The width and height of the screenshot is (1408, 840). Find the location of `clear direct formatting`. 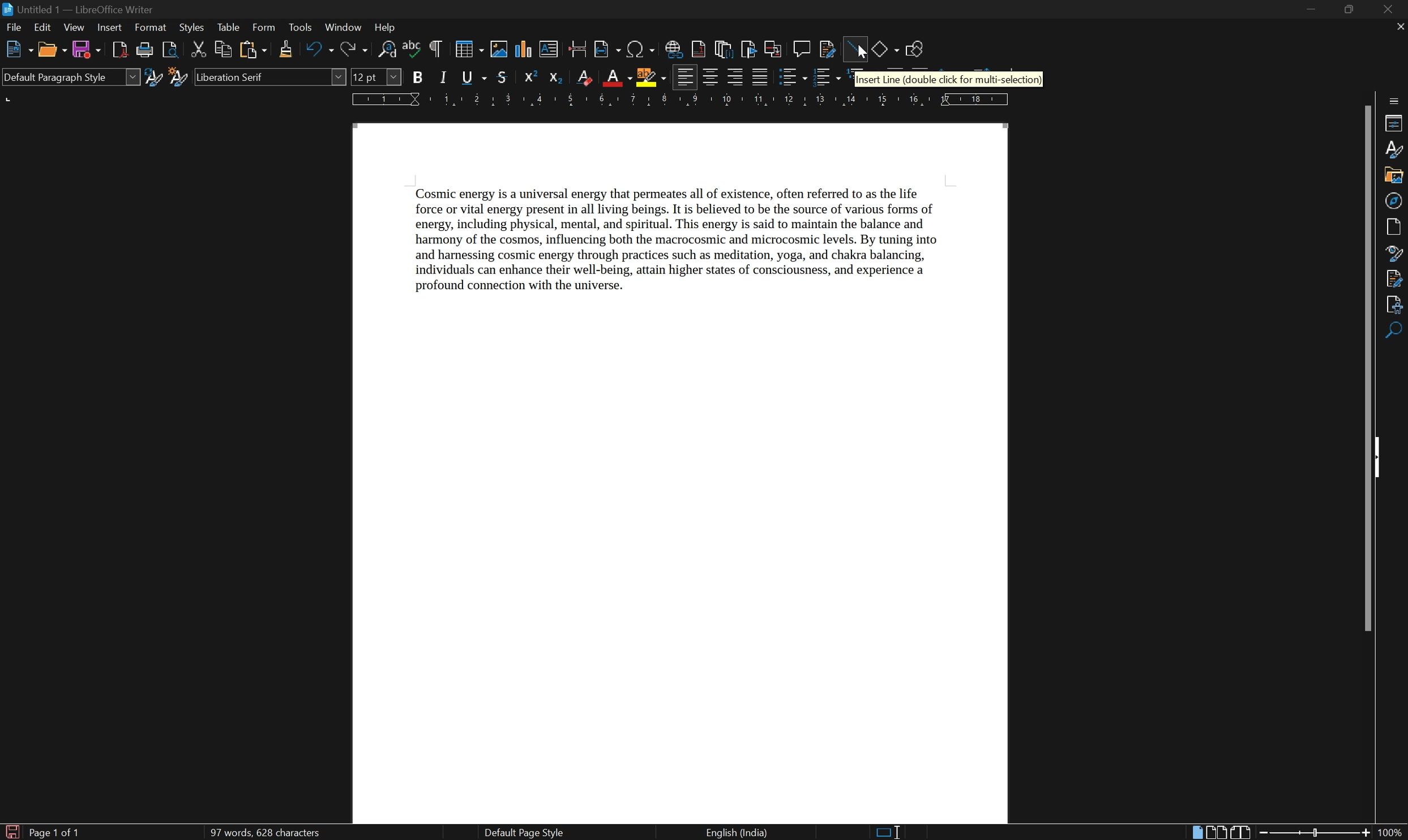

clear direct formatting is located at coordinates (585, 79).